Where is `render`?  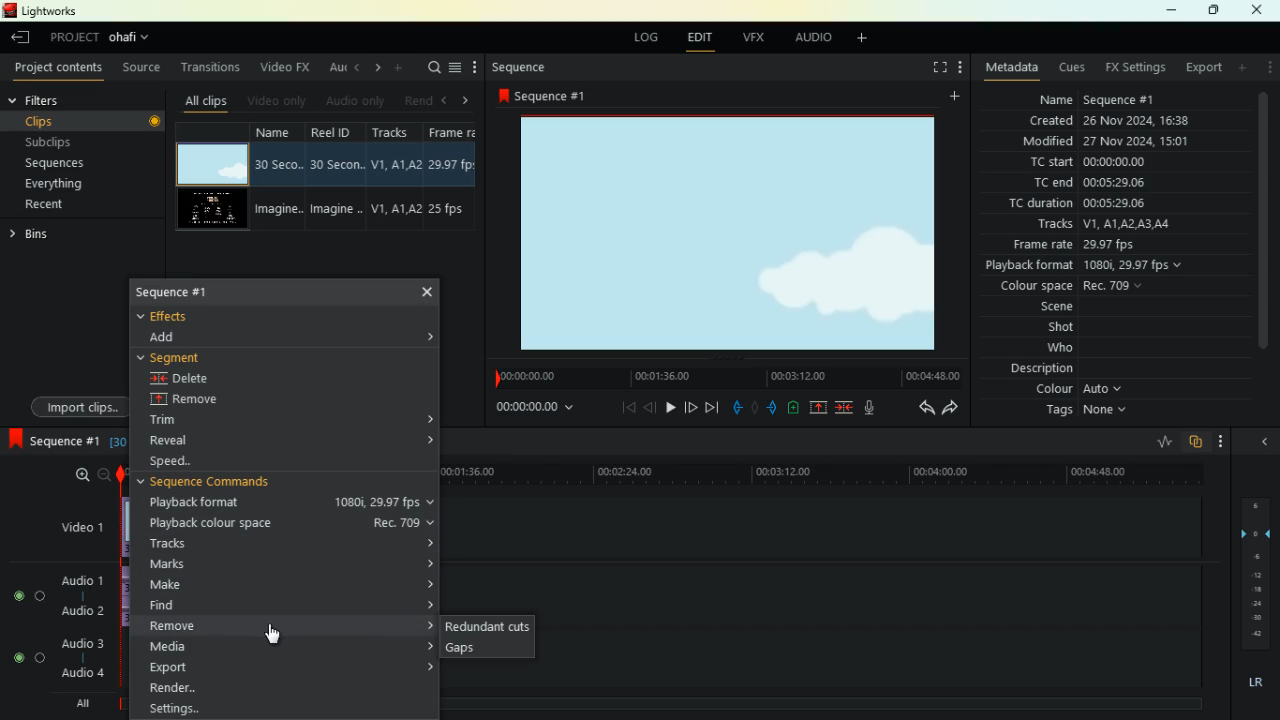
render is located at coordinates (287, 691).